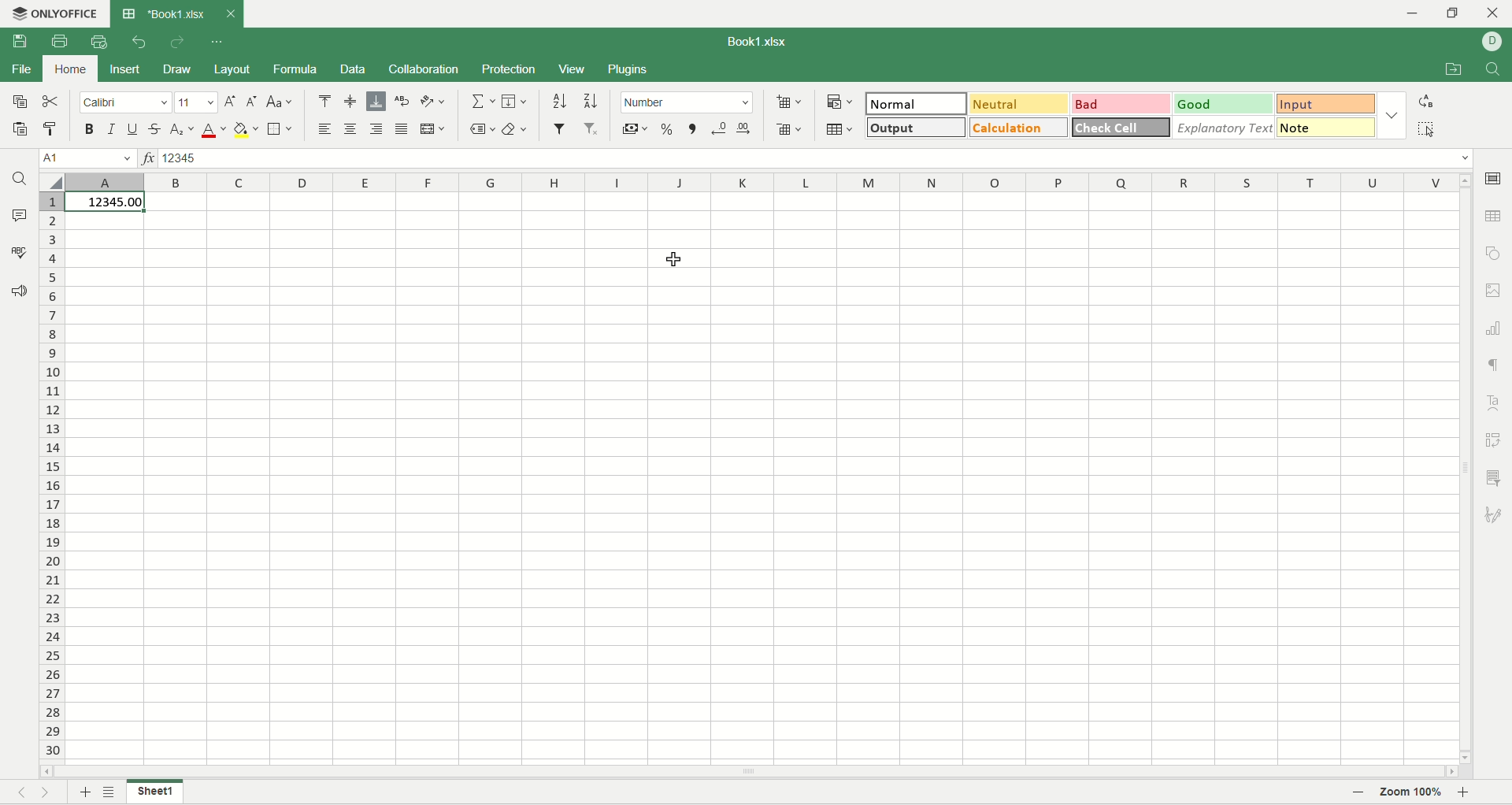 The image size is (1512, 805). I want to click on add sheet, so click(81, 792).